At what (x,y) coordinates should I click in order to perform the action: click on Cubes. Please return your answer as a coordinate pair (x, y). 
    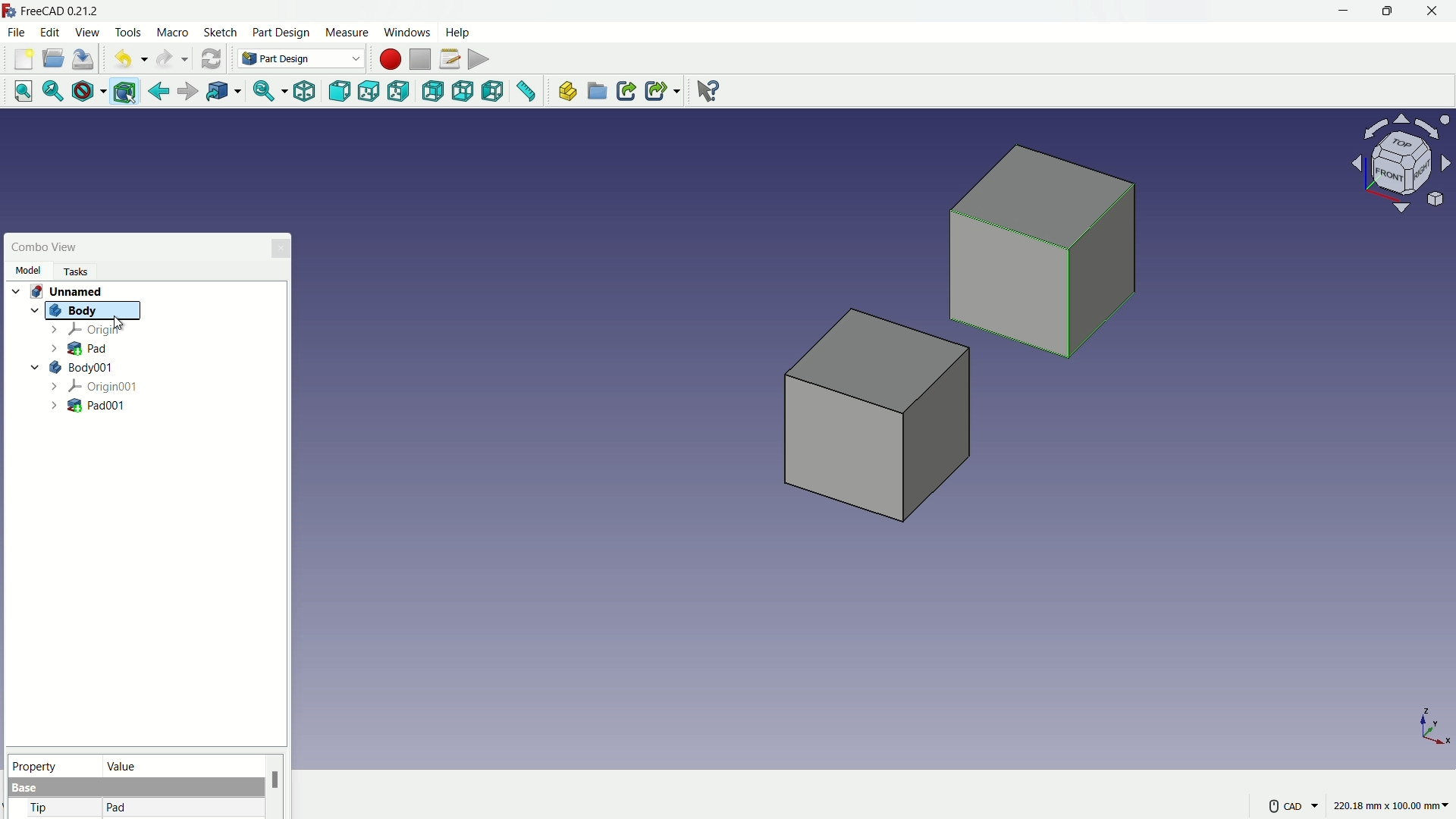
    Looking at the image, I should click on (940, 343).